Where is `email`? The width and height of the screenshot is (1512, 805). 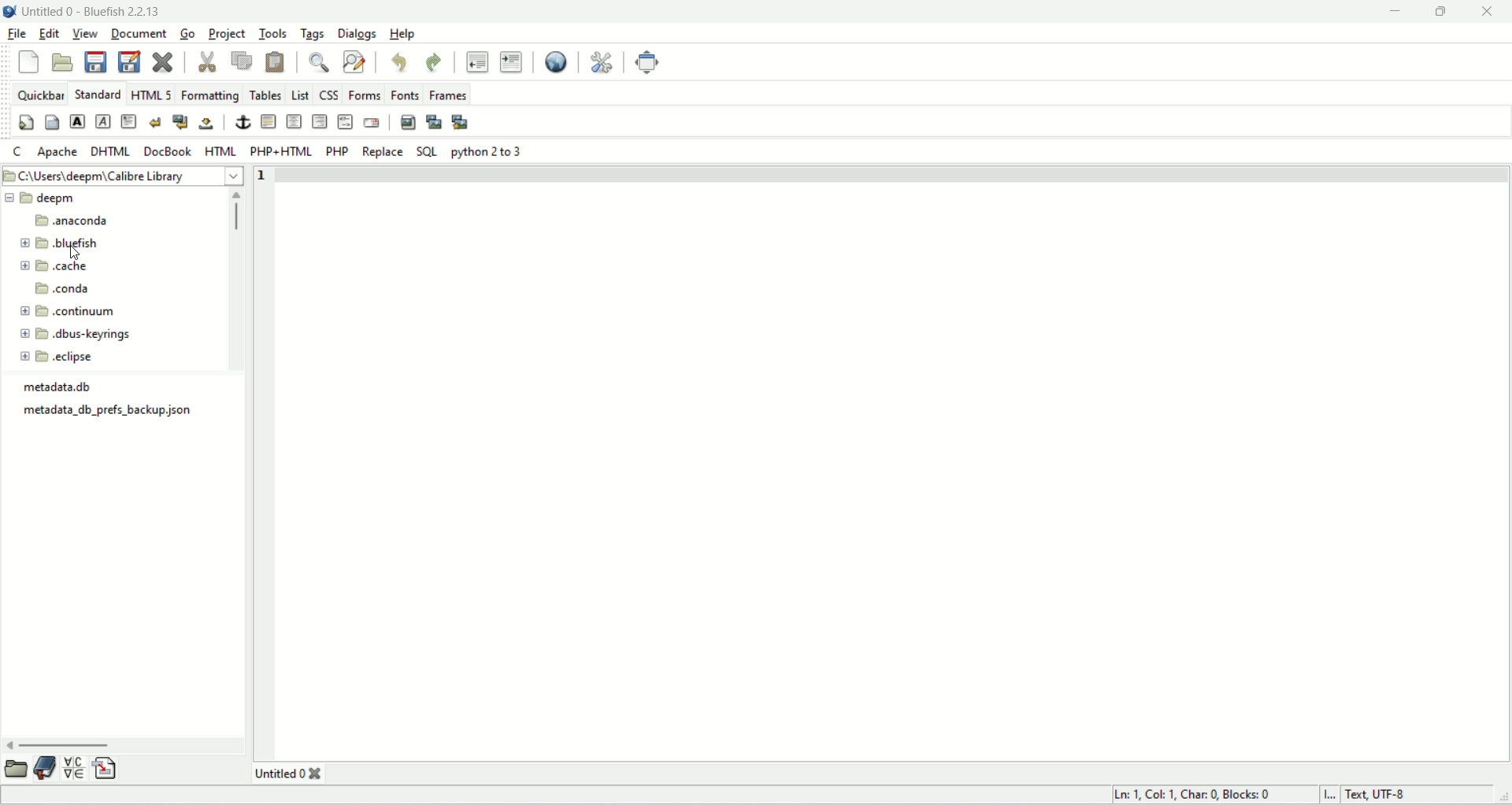
email is located at coordinates (374, 124).